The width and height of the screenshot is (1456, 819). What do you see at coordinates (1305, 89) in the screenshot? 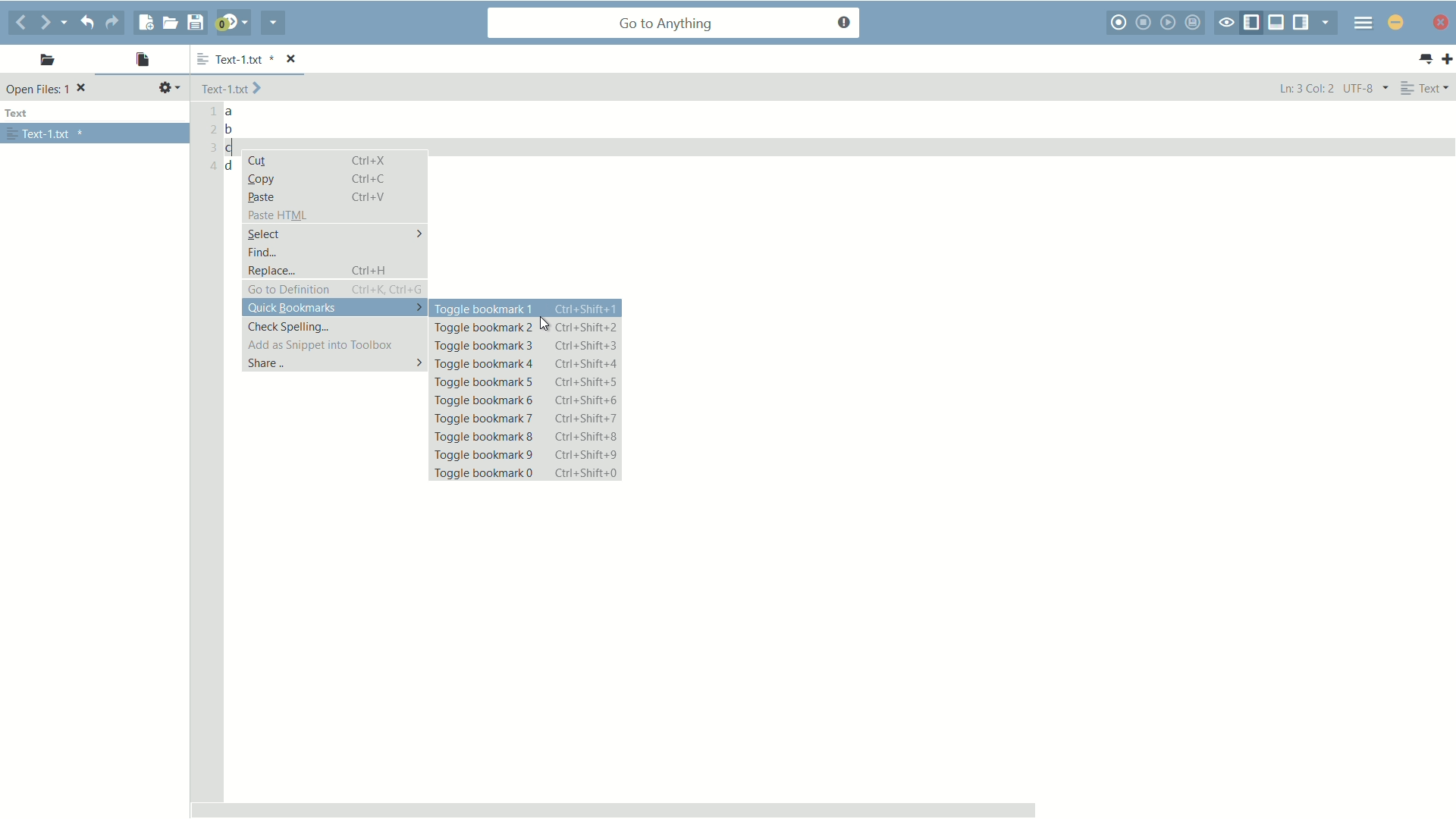
I see `Ln: 3 Col: 2` at bounding box center [1305, 89].